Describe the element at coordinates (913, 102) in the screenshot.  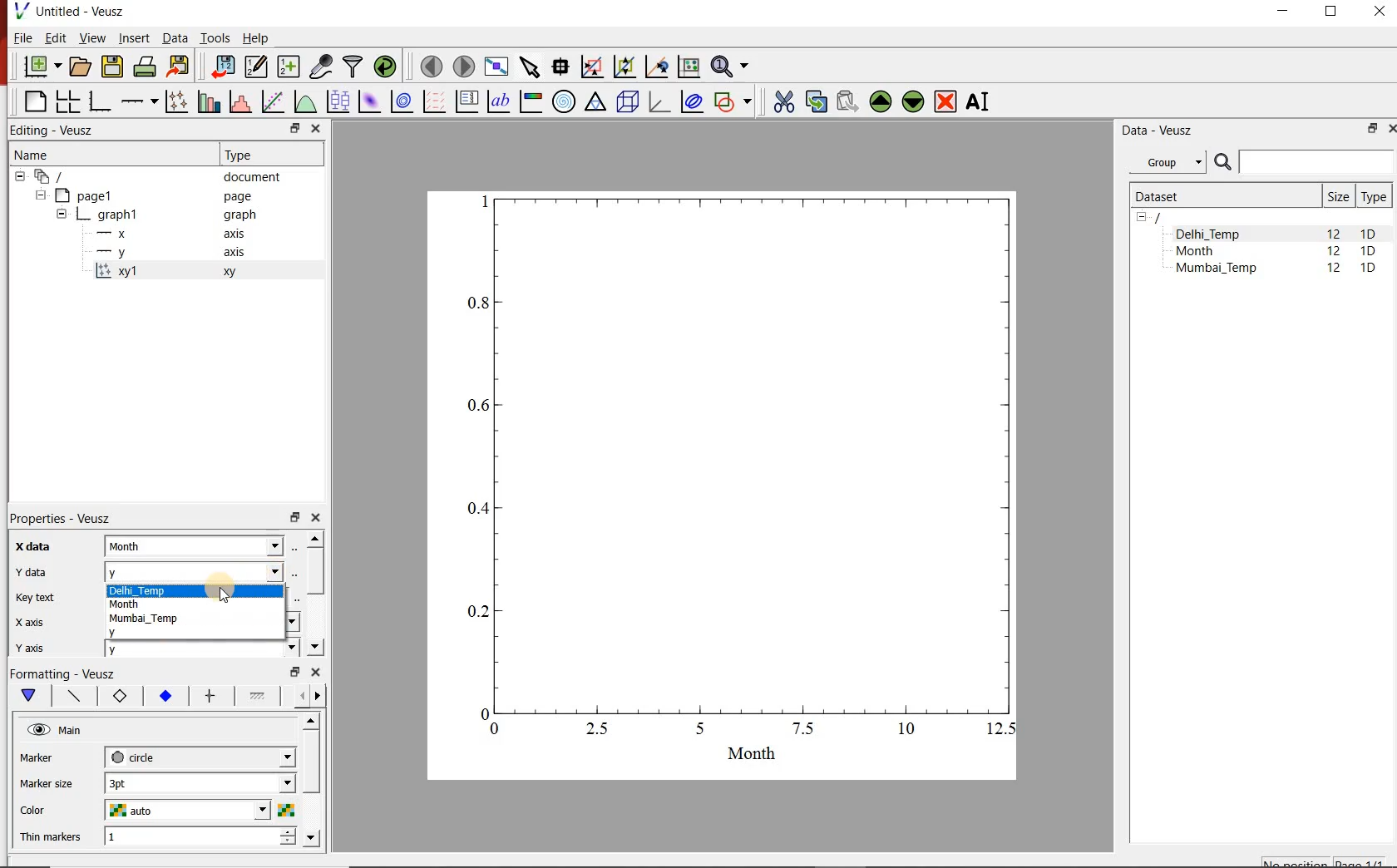
I see `move the selected widget down` at that location.